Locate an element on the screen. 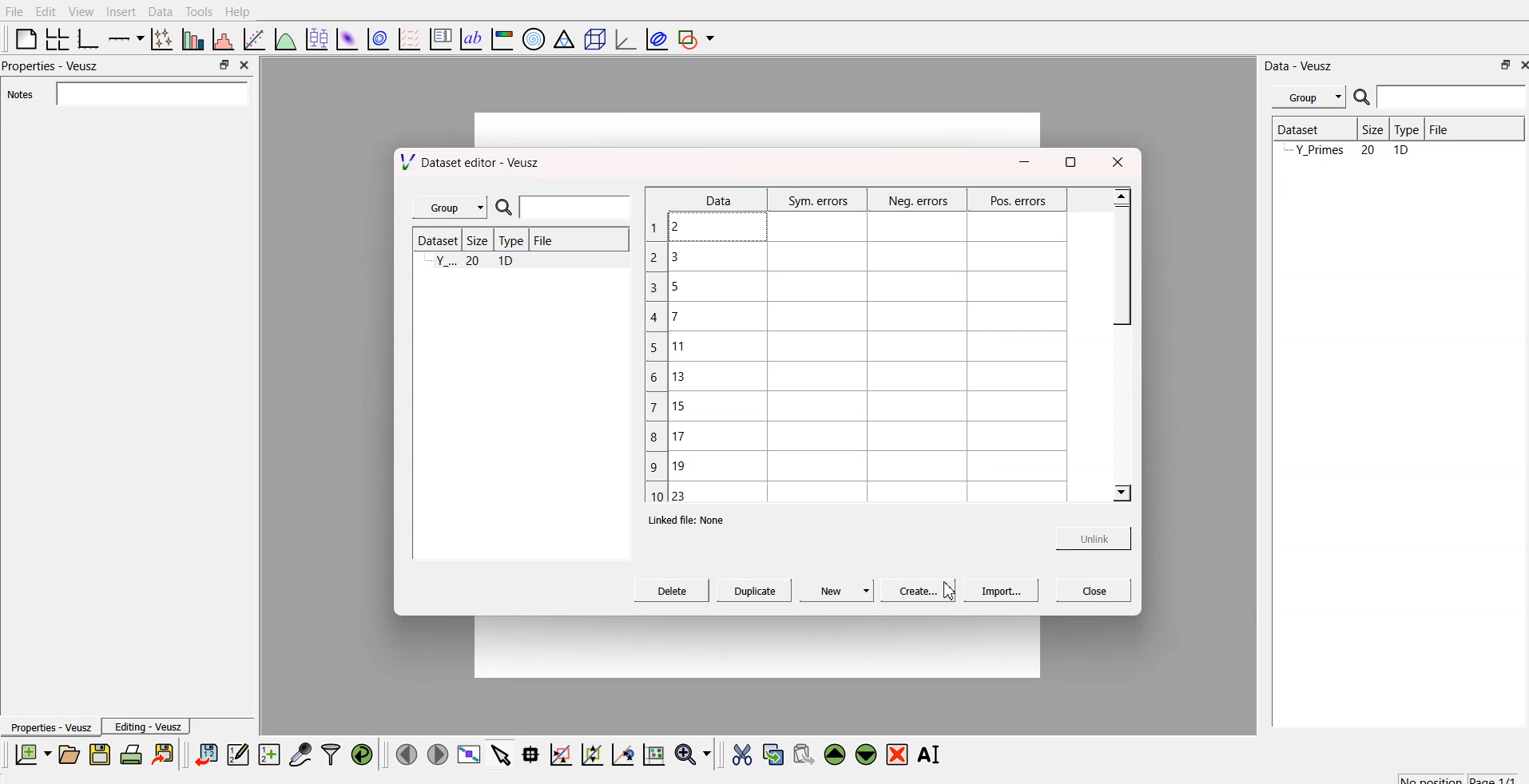 This screenshot has height=784, width=1529. plot bar chart is located at coordinates (191, 41).